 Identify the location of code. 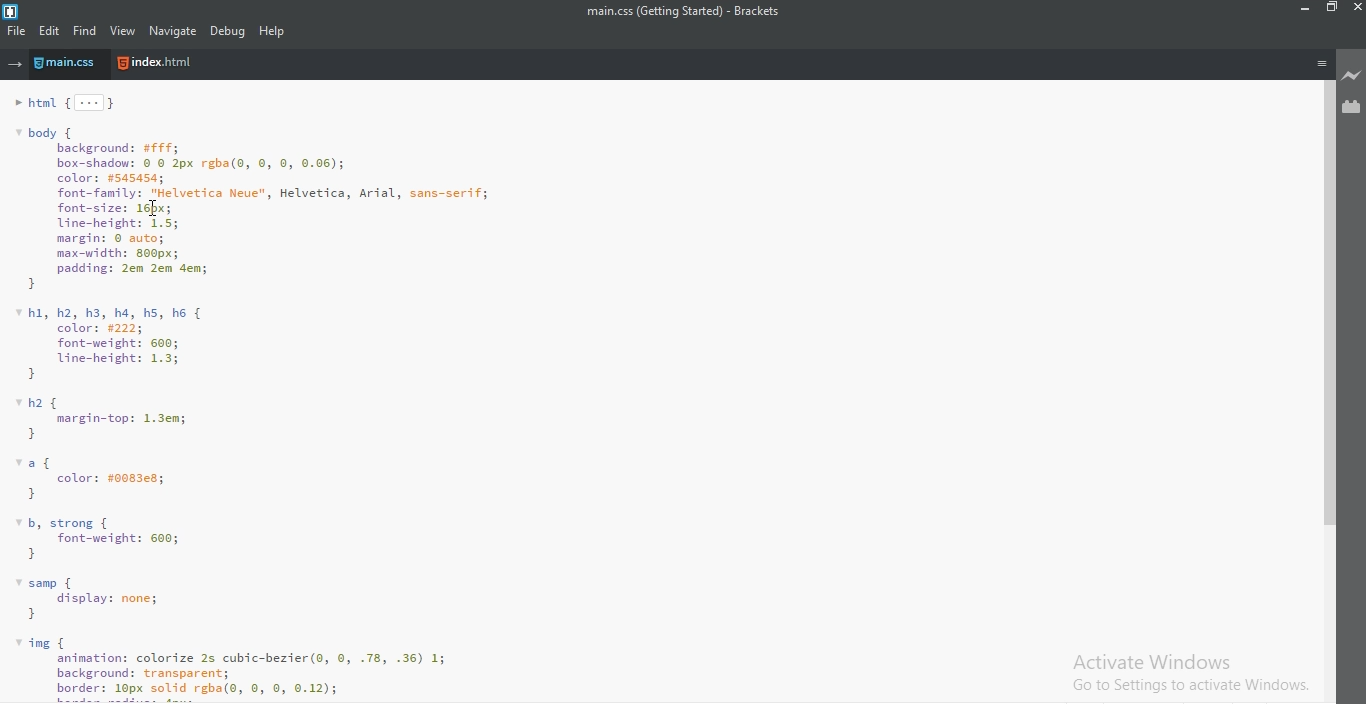
(651, 395).